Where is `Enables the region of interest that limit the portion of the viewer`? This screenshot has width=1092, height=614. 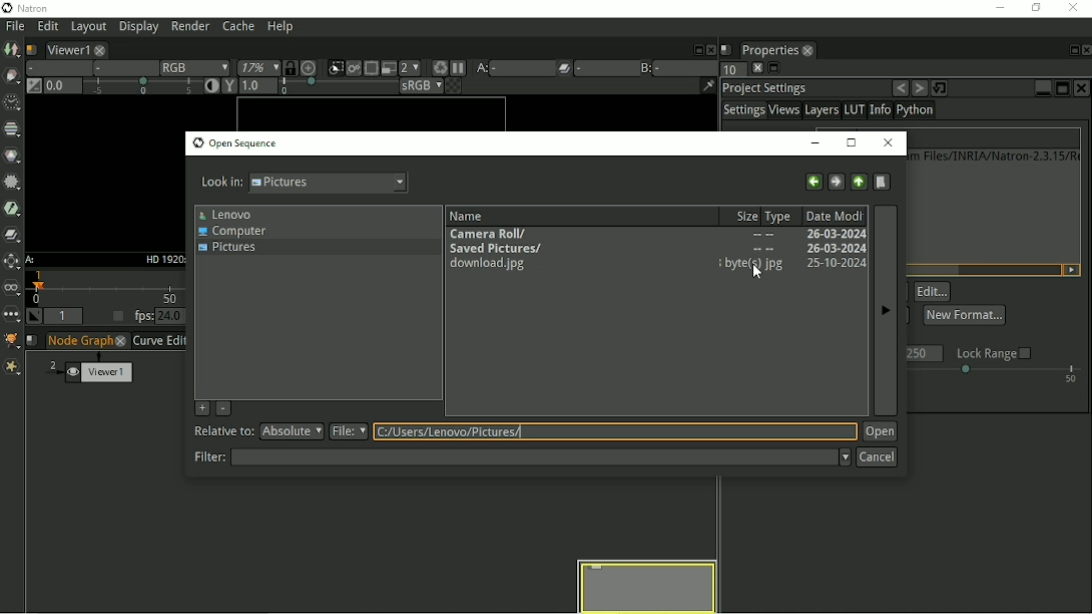
Enables the region of interest that limit the portion of the viewer is located at coordinates (370, 67).